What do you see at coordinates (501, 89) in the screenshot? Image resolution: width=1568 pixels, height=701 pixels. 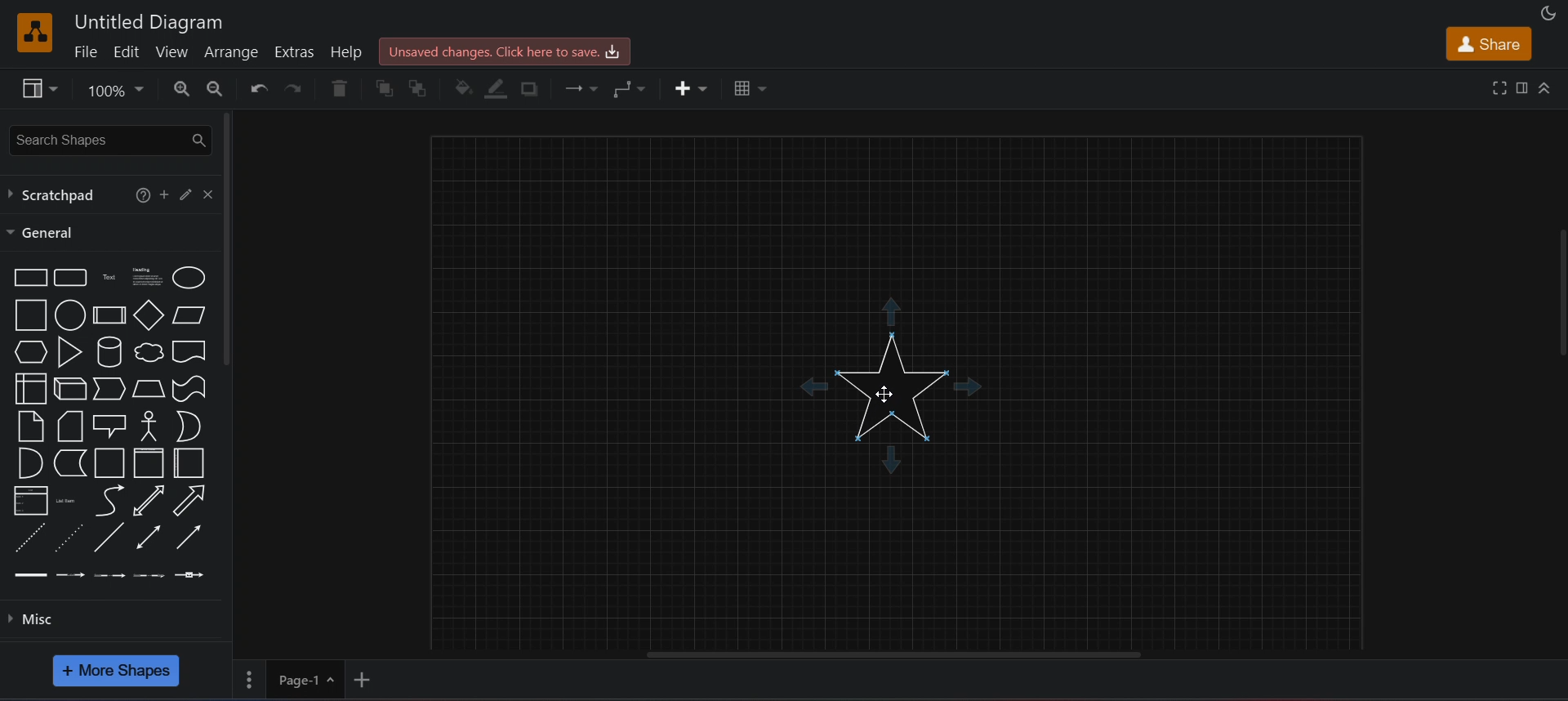 I see `line coloe` at bounding box center [501, 89].